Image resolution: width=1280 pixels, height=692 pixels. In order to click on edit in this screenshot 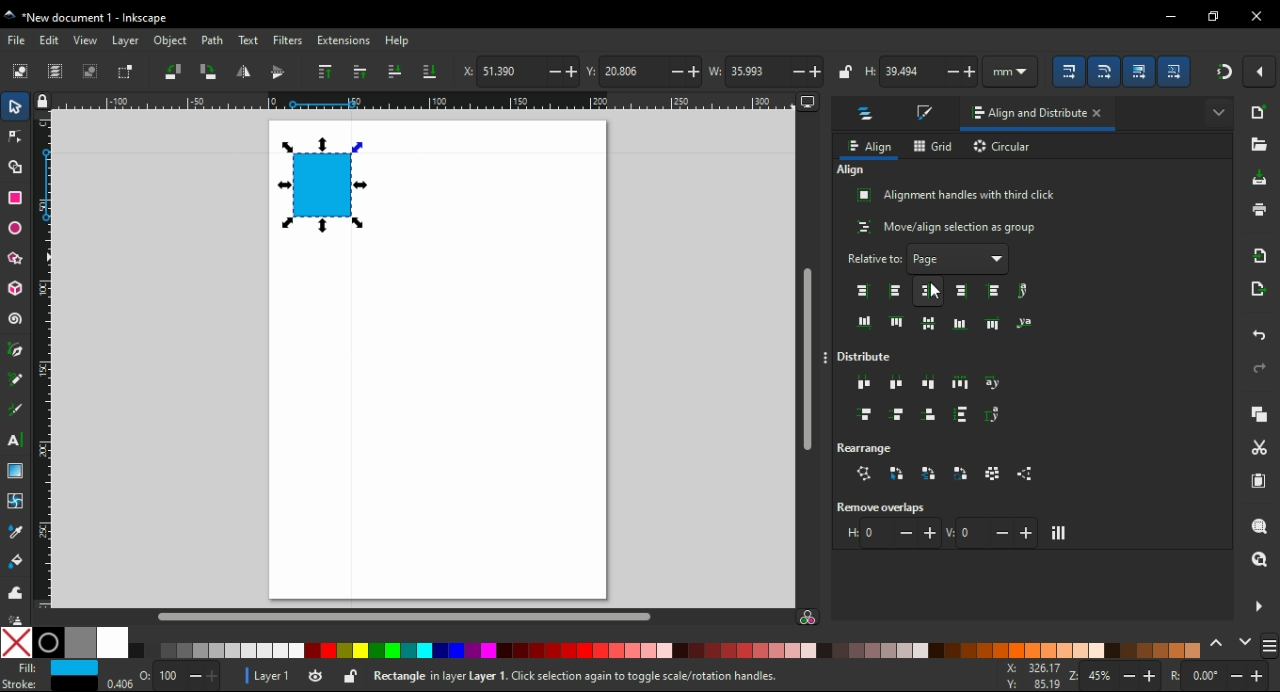, I will do `click(52, 40)`.